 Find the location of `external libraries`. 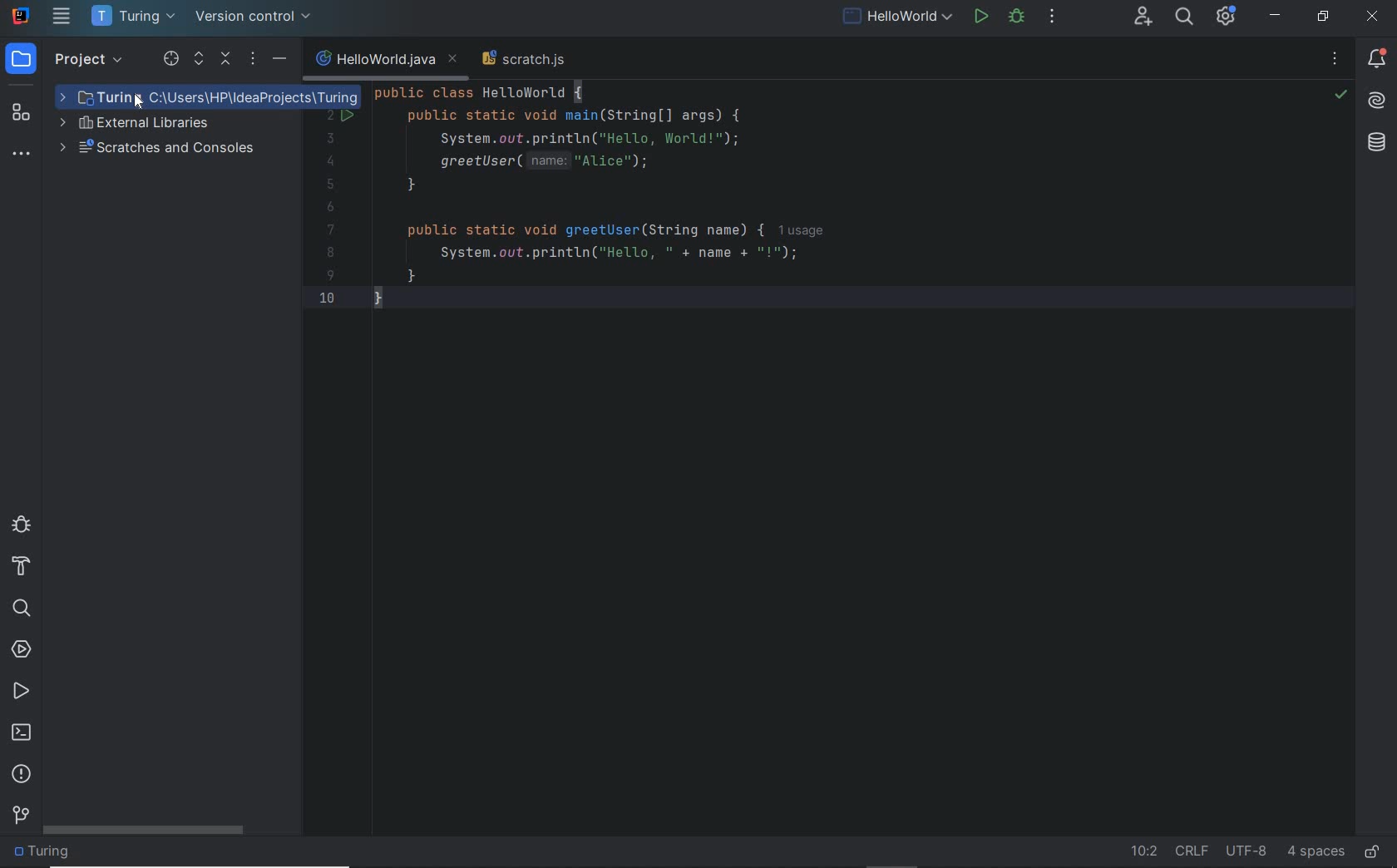

external libraries is located at coordinates (151, 126).